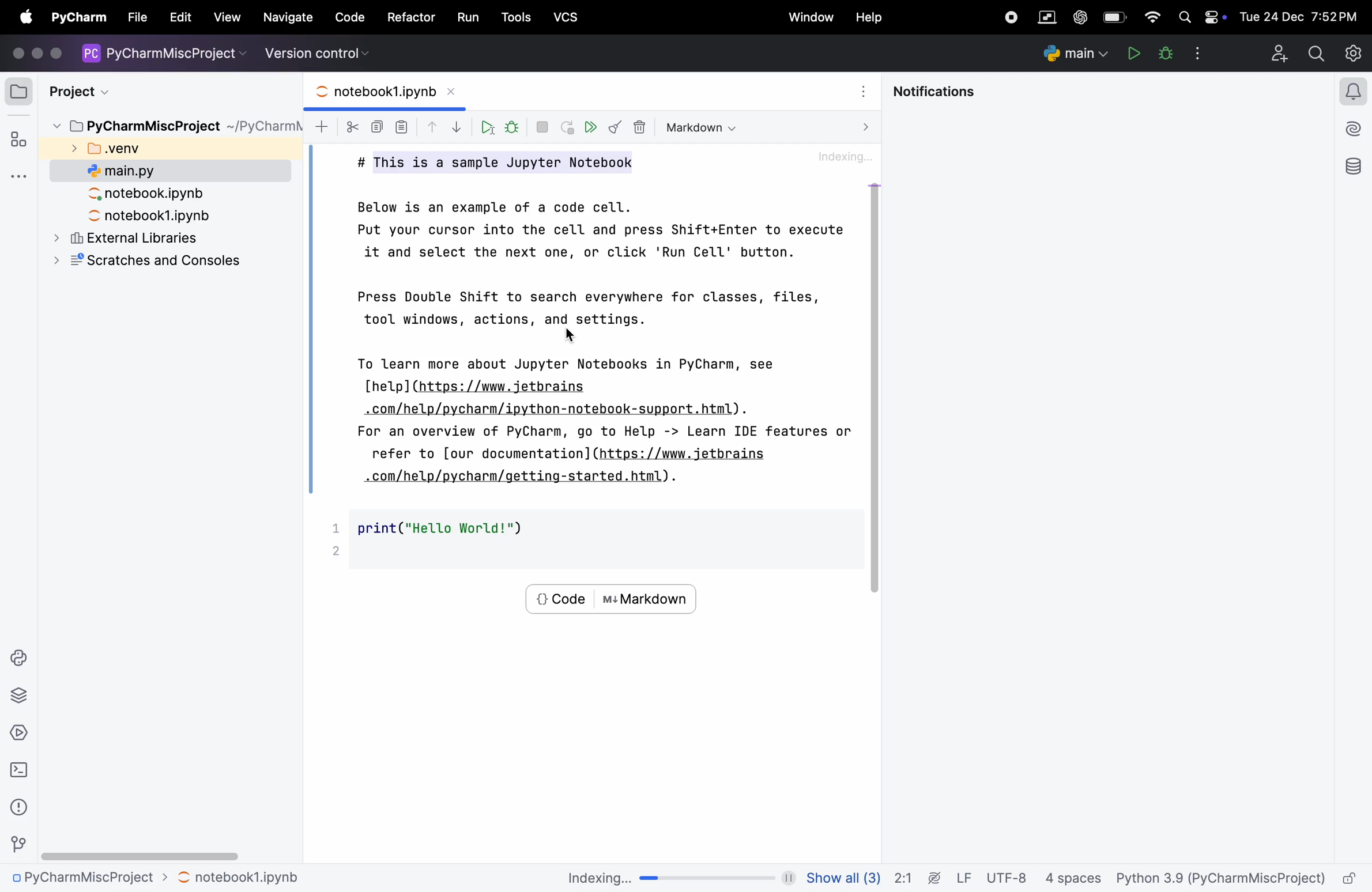 The width and height of the screenshot is (1372, 892). I want to click on notifications, so click(1352, 90).